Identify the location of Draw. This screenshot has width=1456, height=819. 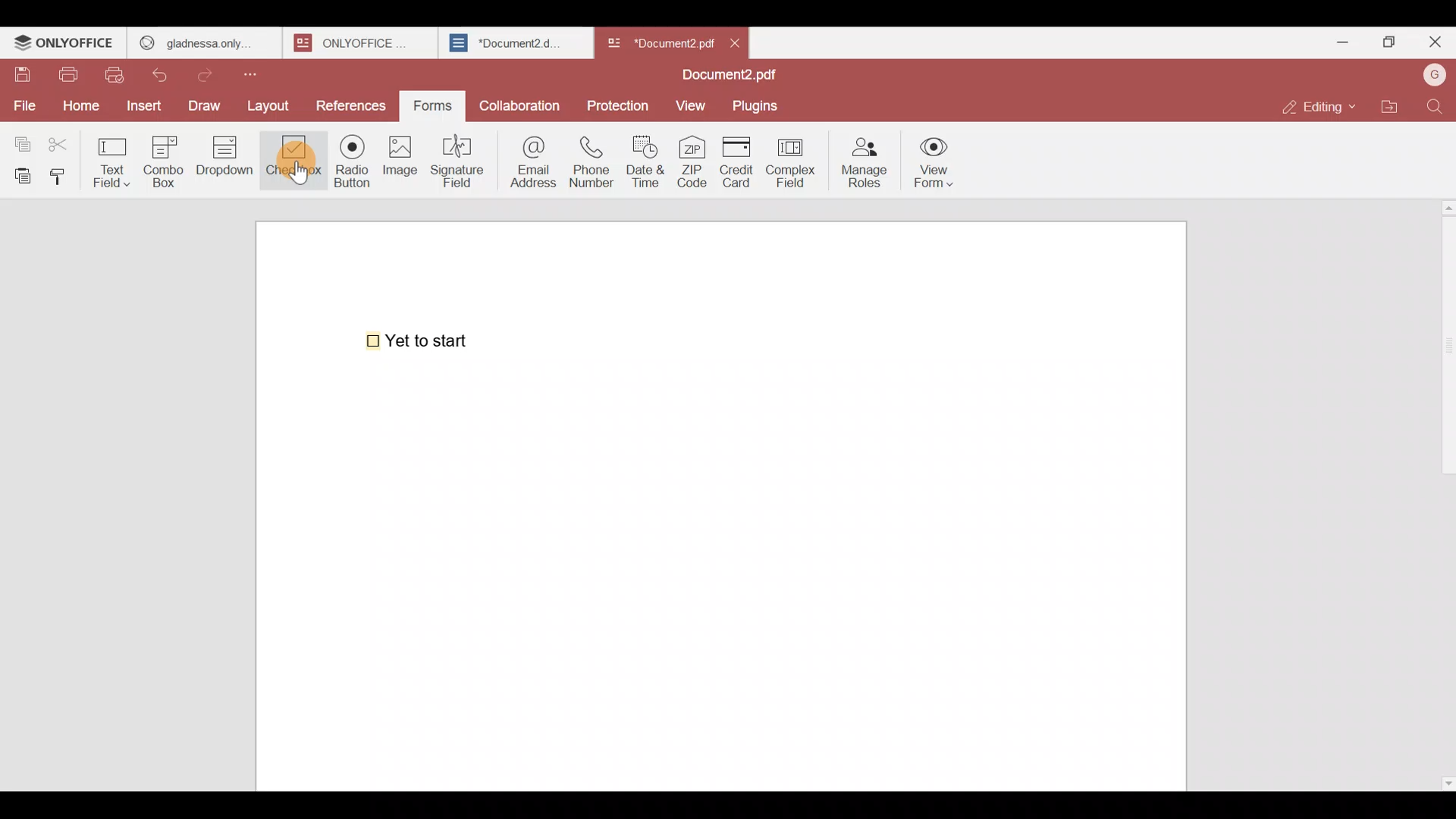
(209, 104).